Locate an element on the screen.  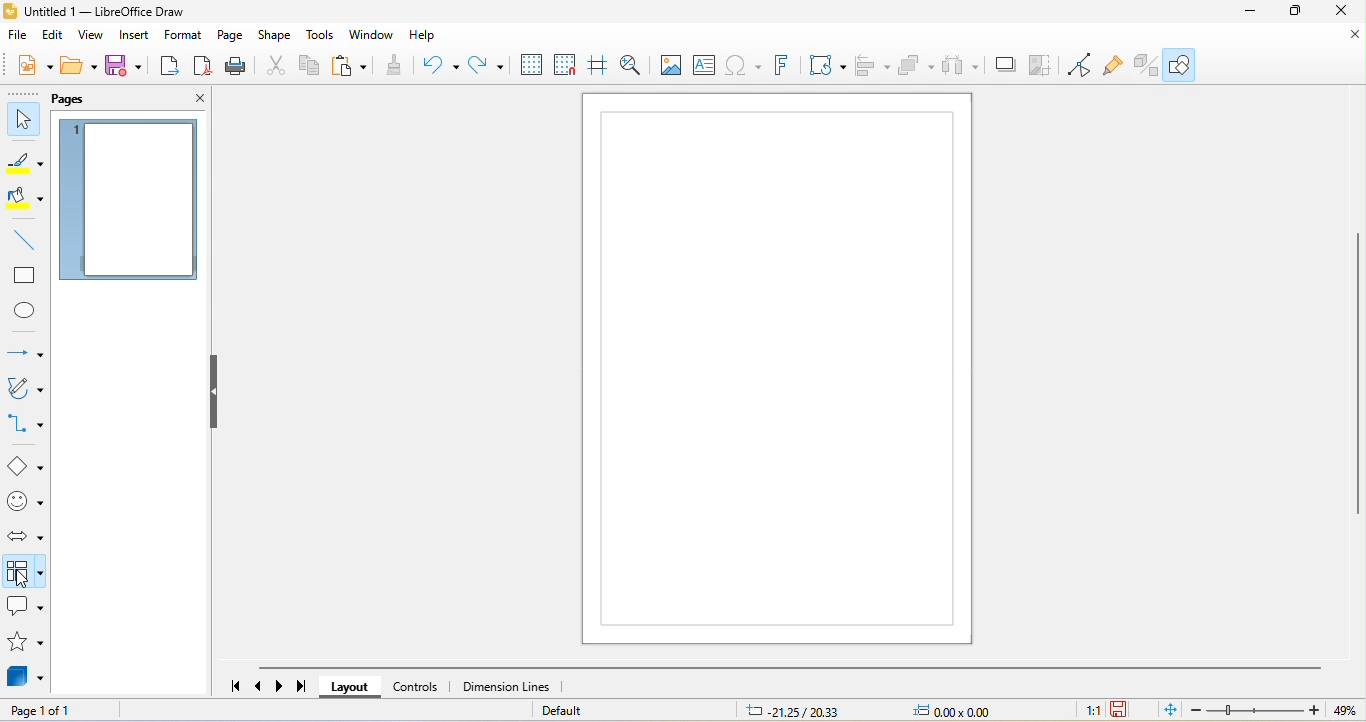
scroll to first page is located at coordinates (233, 687).